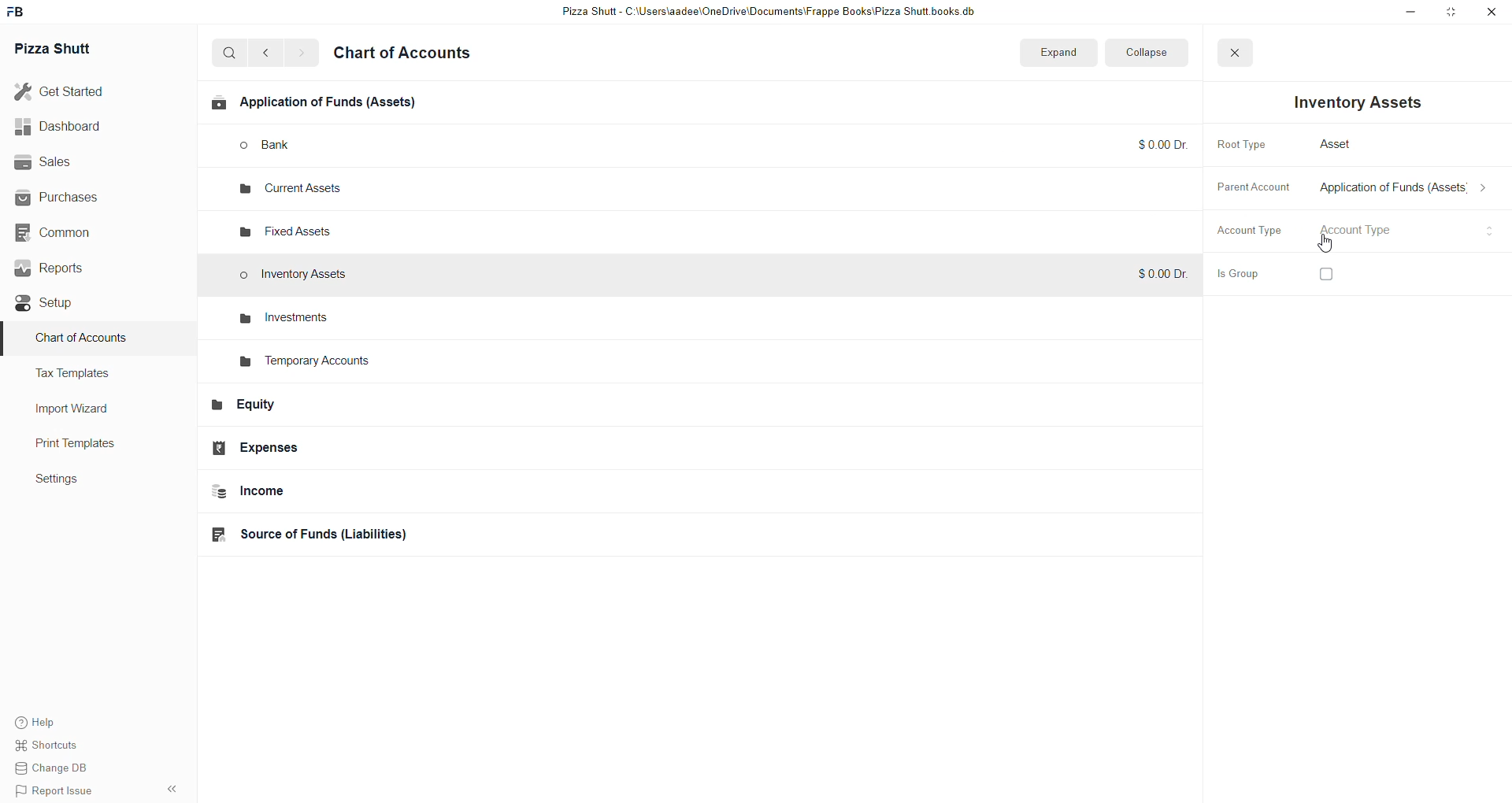 This screenshot has height=803, width=1512. I want to click on Tax Templates , so click(92, 376).